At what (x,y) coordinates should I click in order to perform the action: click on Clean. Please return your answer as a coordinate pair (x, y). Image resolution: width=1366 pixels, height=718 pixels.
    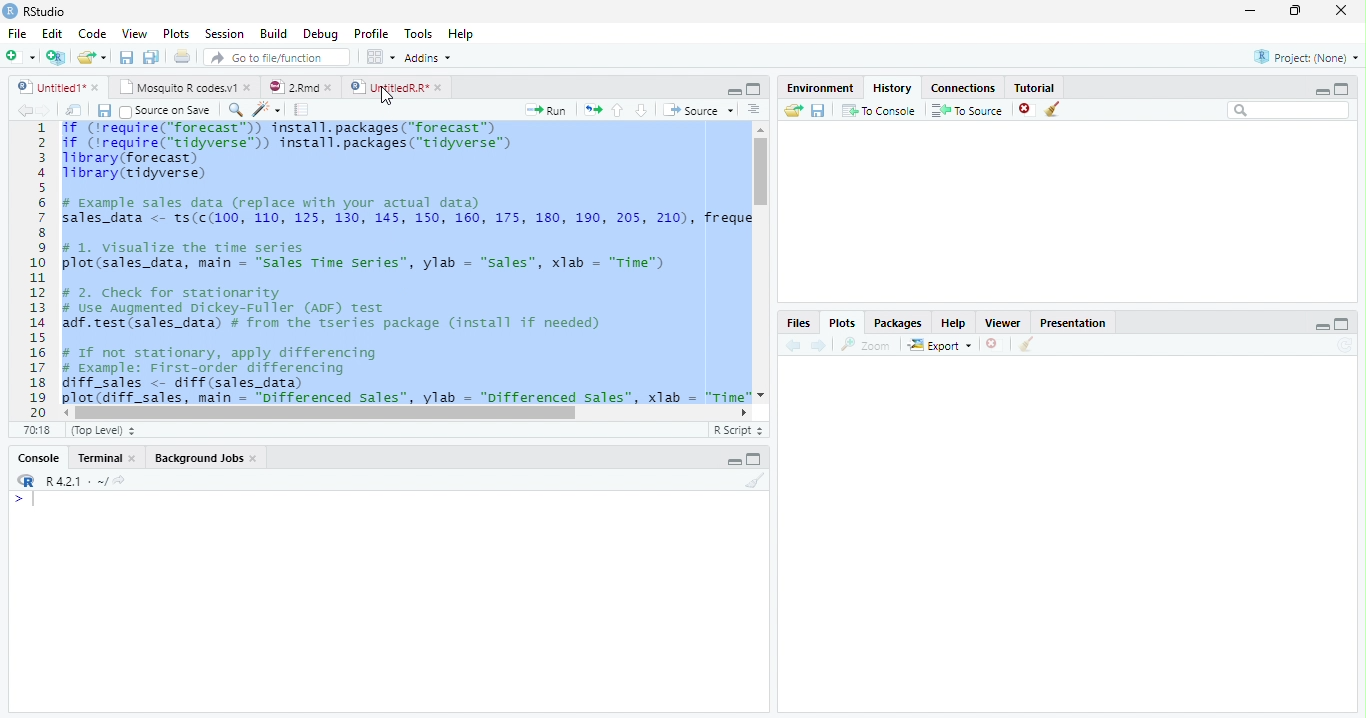
    Looking at the image, I should click on (1026, 345).